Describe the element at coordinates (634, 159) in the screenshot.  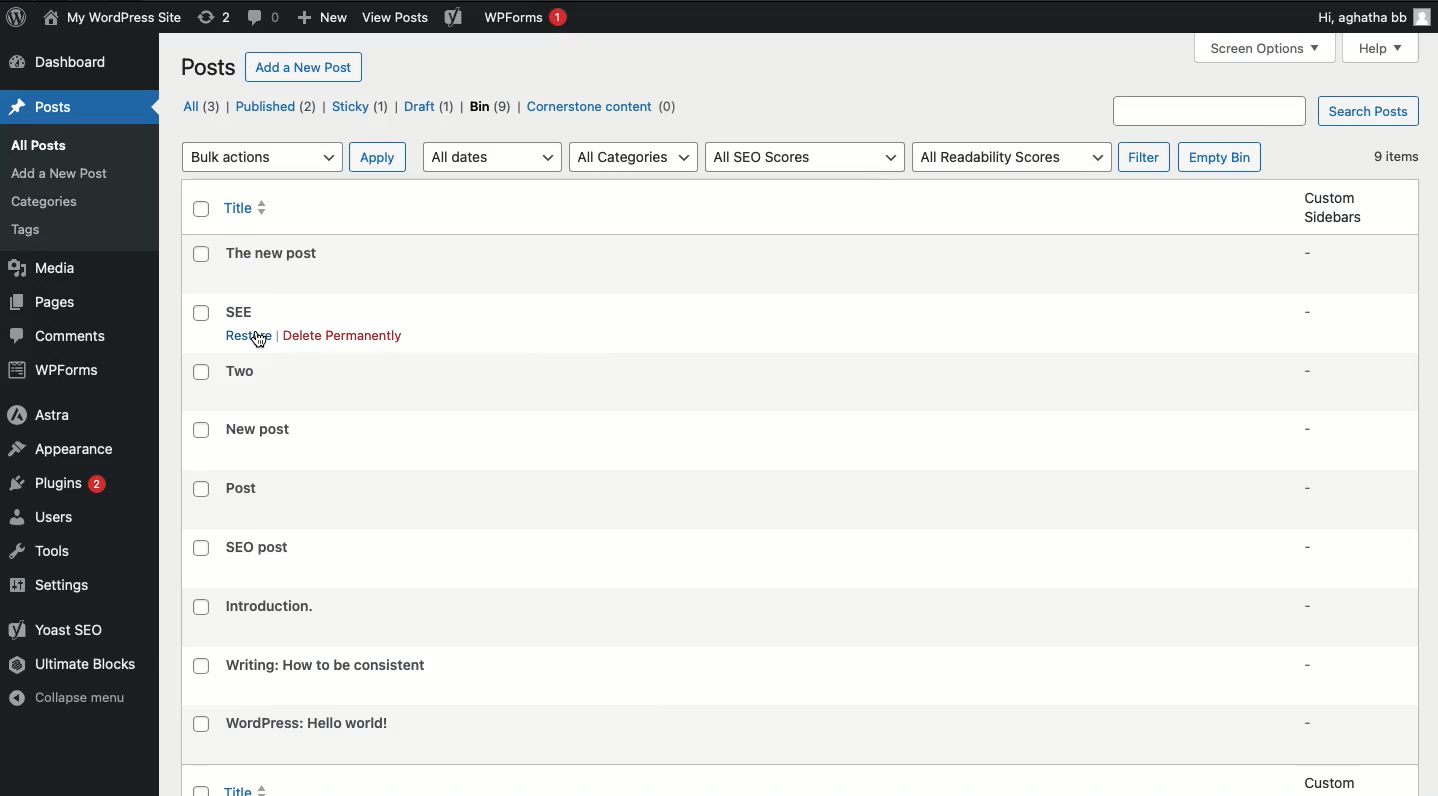
I see `All categories` at that location.